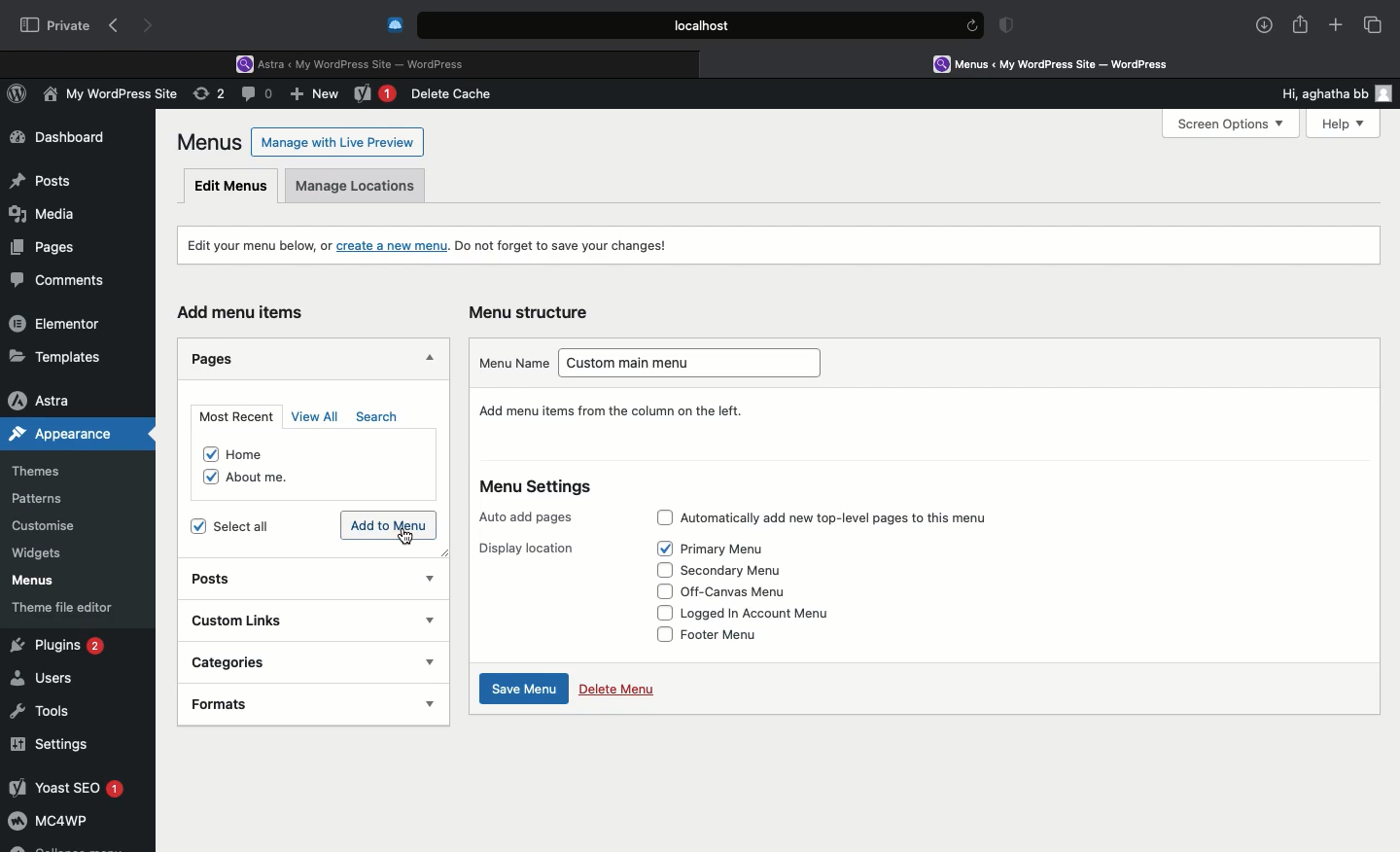 The width and height of the screenshot is (1400, 852). Describe the element at coordinates (265, 619) in the screenshot. I see `Custom links` at that location.